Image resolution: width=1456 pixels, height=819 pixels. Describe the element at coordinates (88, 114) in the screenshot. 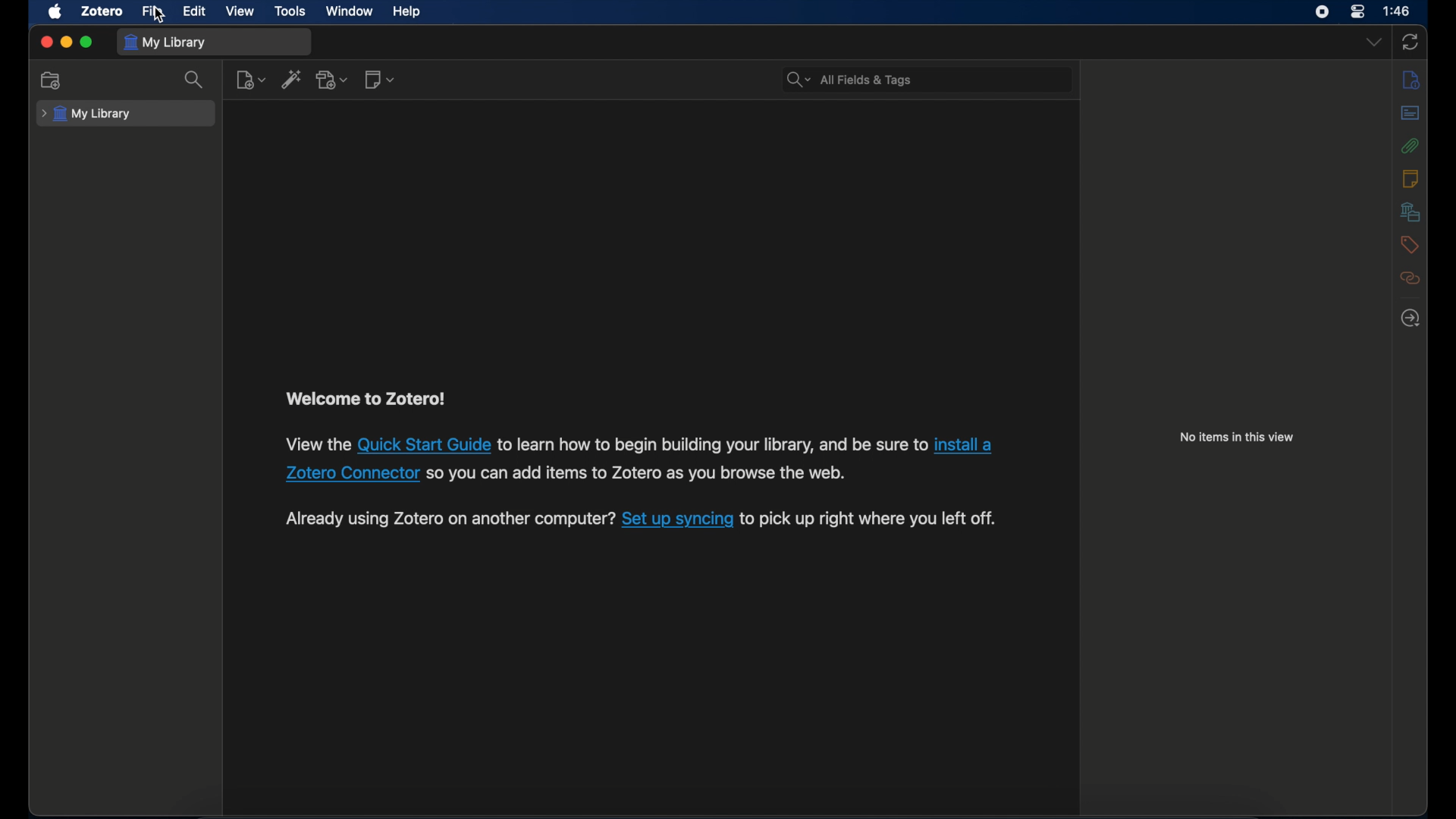

I see `my library` at that location.